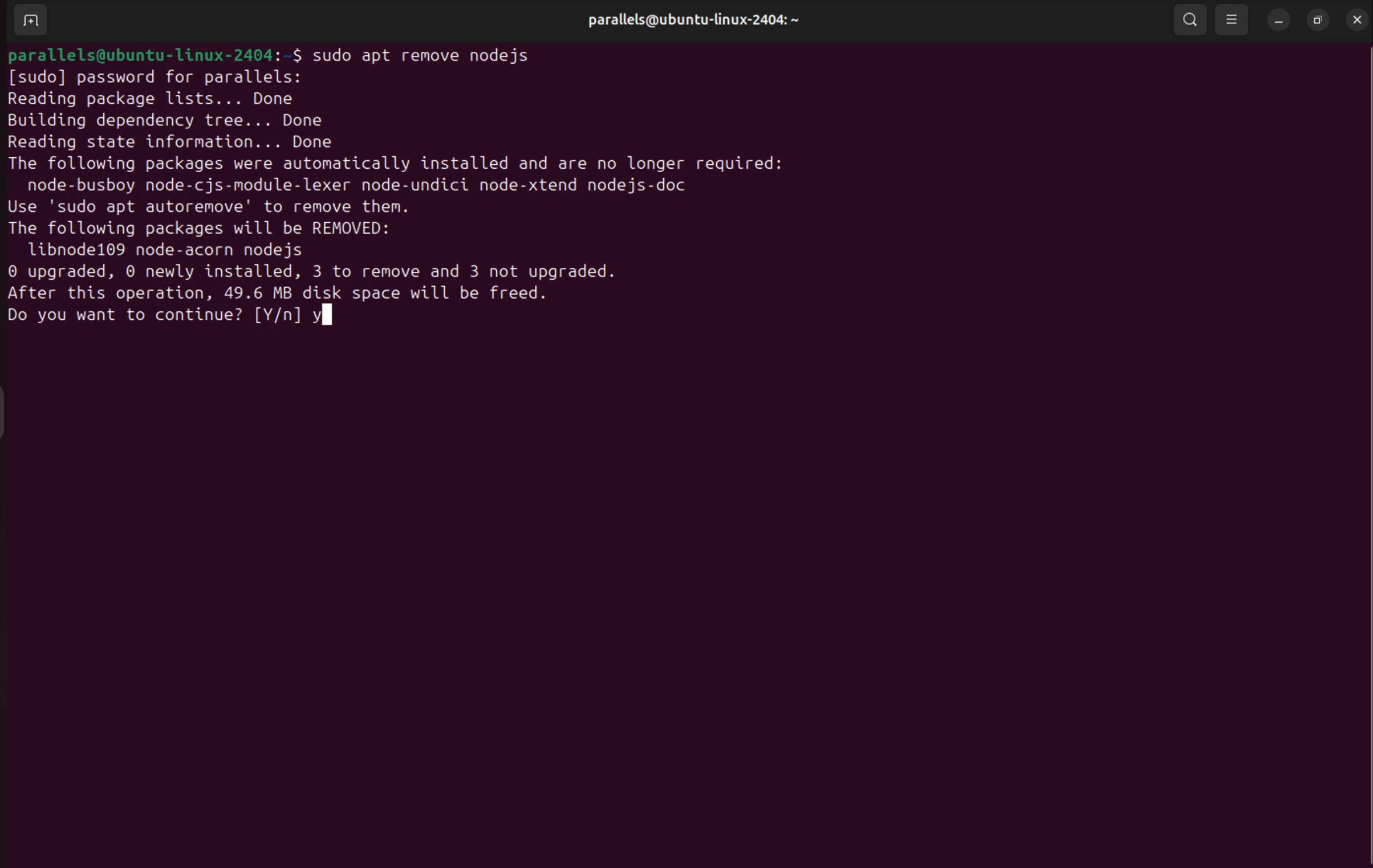 This screenshot has height=868, width=1373. What do you see at coordinates (156, 50) in the screenshot?
I see `"parallels@ubuntu-linux-2404: $` at bounding box center [156, 50].